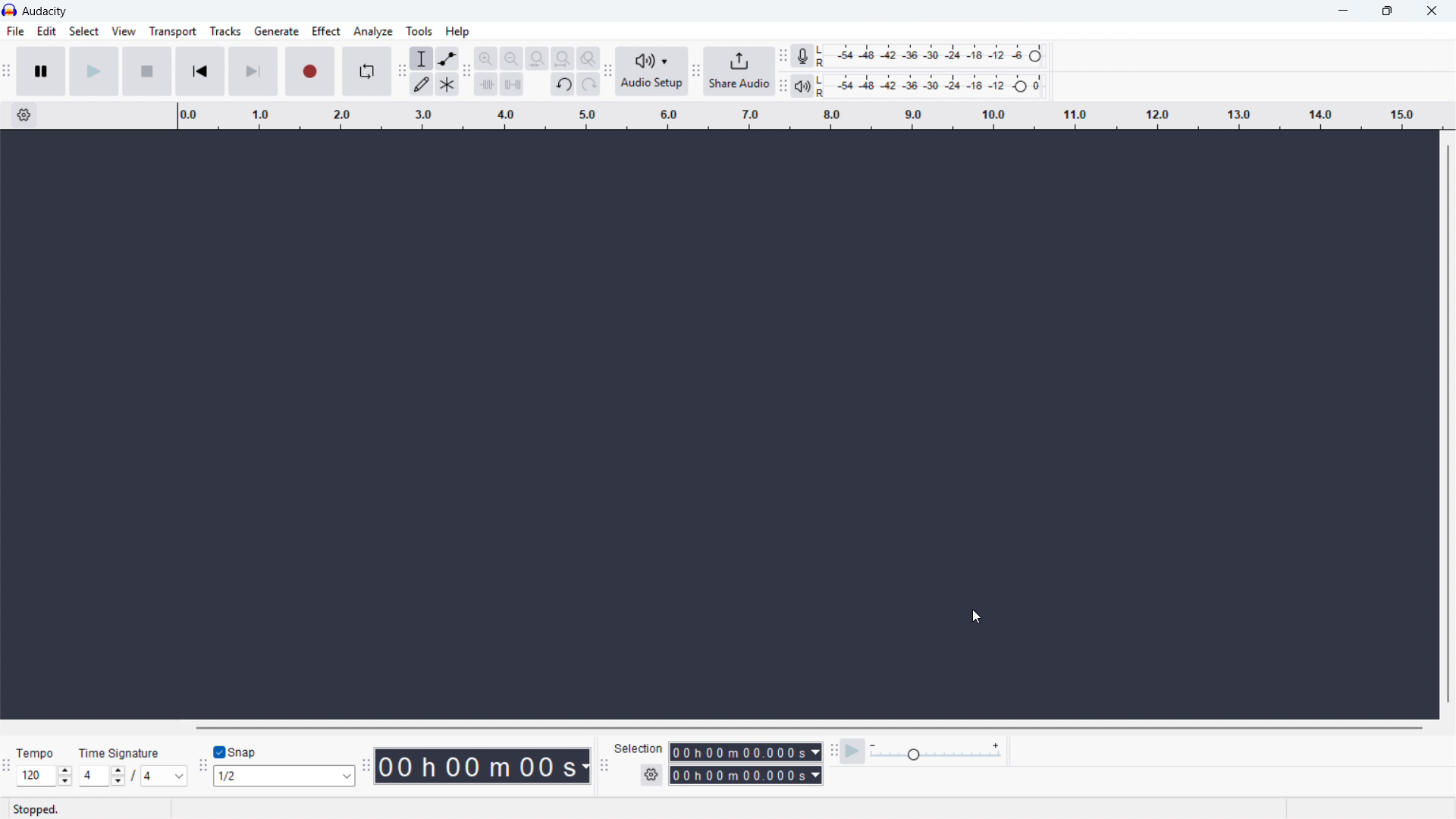  I want to click on close, so click(1430, 11).